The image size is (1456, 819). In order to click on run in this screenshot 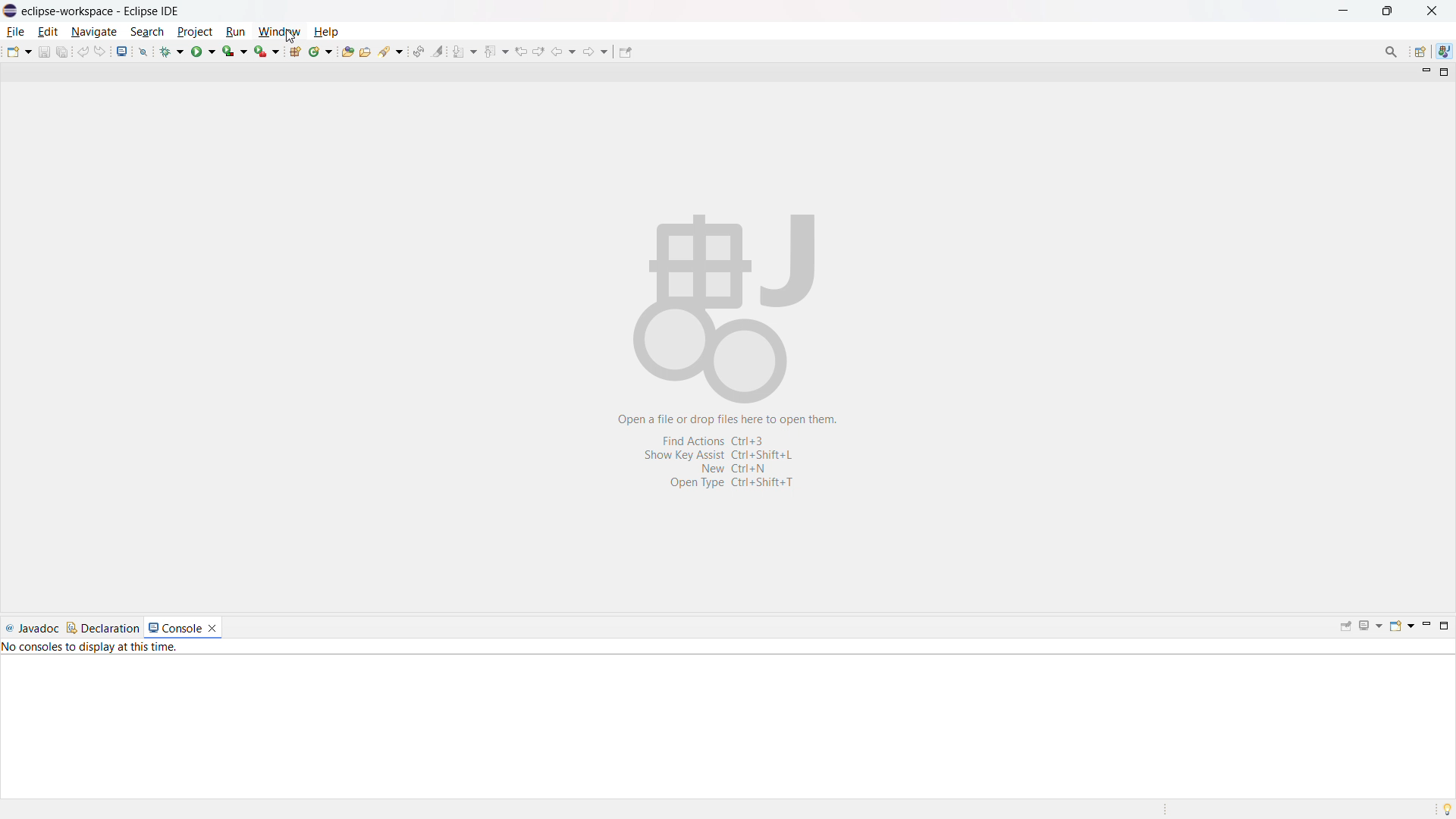, I will do `click(204, 51)`.